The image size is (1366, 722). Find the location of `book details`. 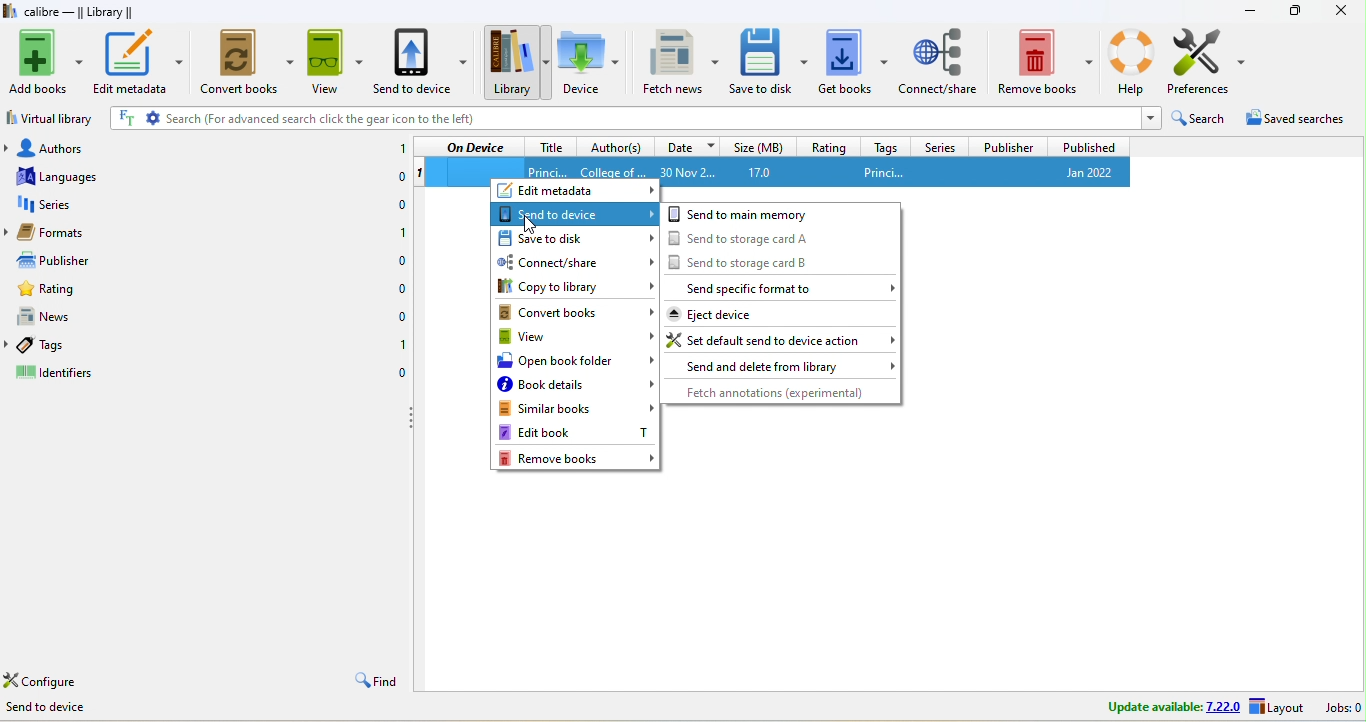

book details is located at coordinates (574, 386).